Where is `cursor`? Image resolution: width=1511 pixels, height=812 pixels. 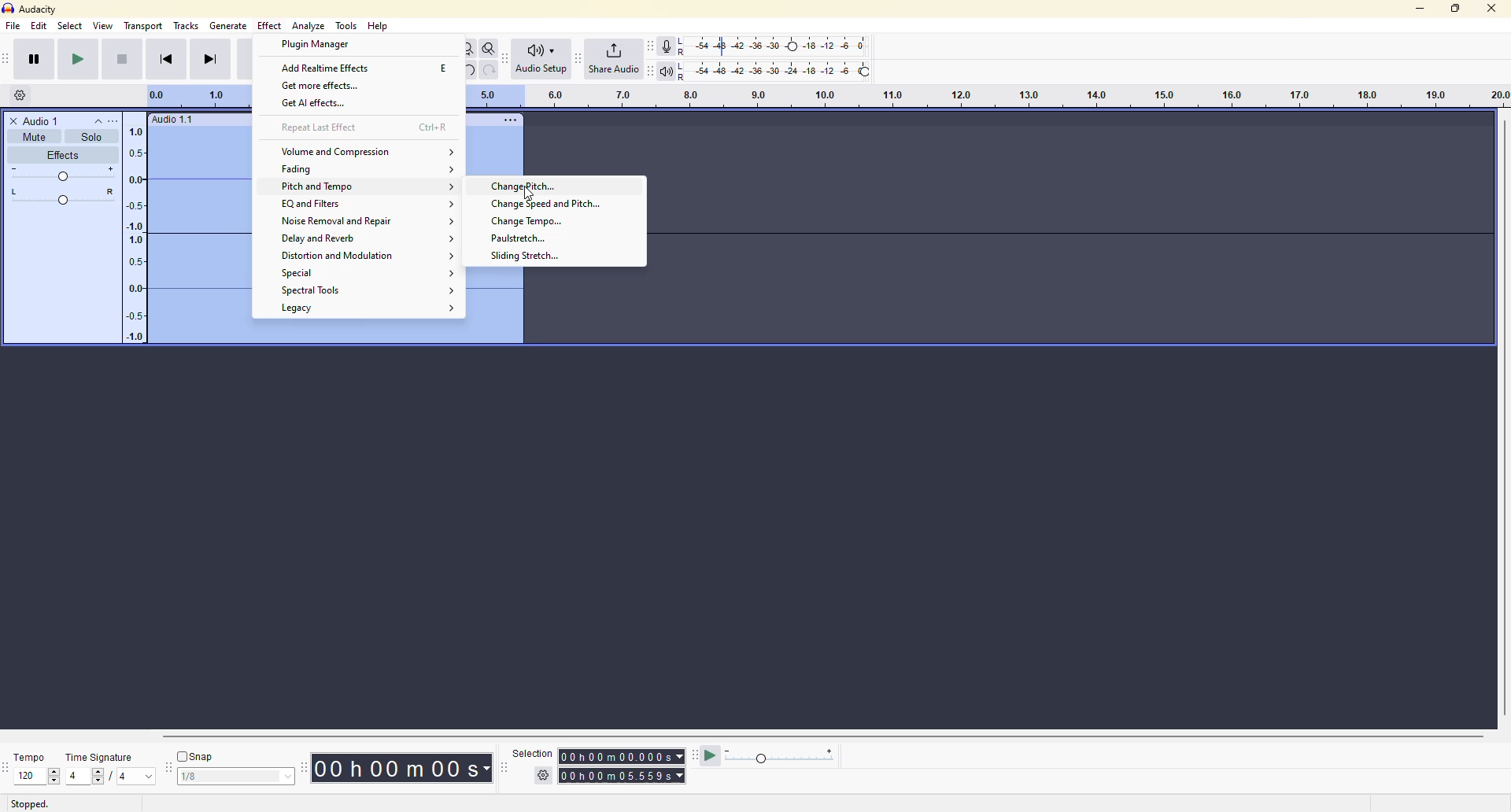 cursor is located at coordinates (420, 190).